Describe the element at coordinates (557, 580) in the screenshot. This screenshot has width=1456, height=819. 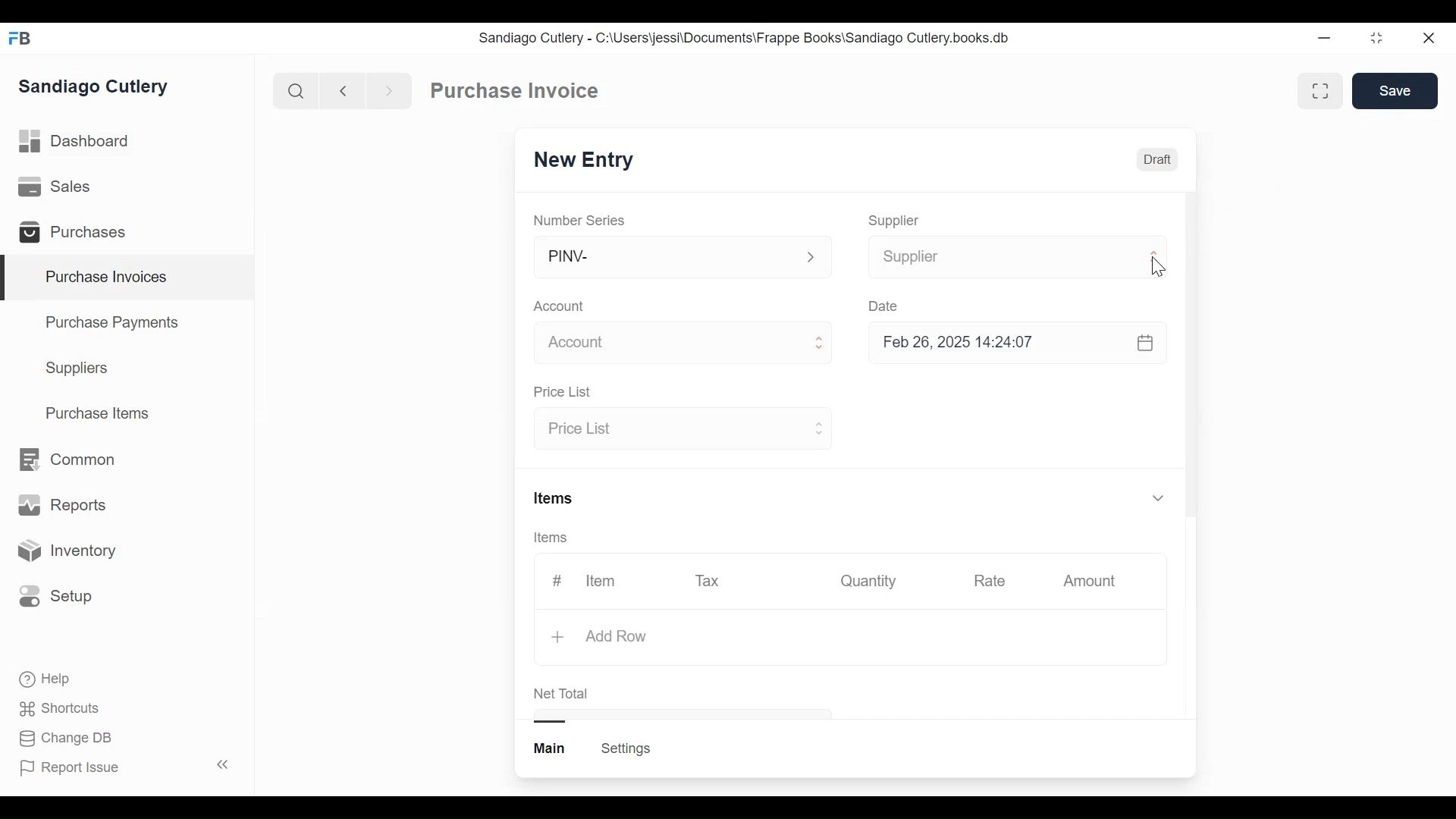
I see `#` at that location.